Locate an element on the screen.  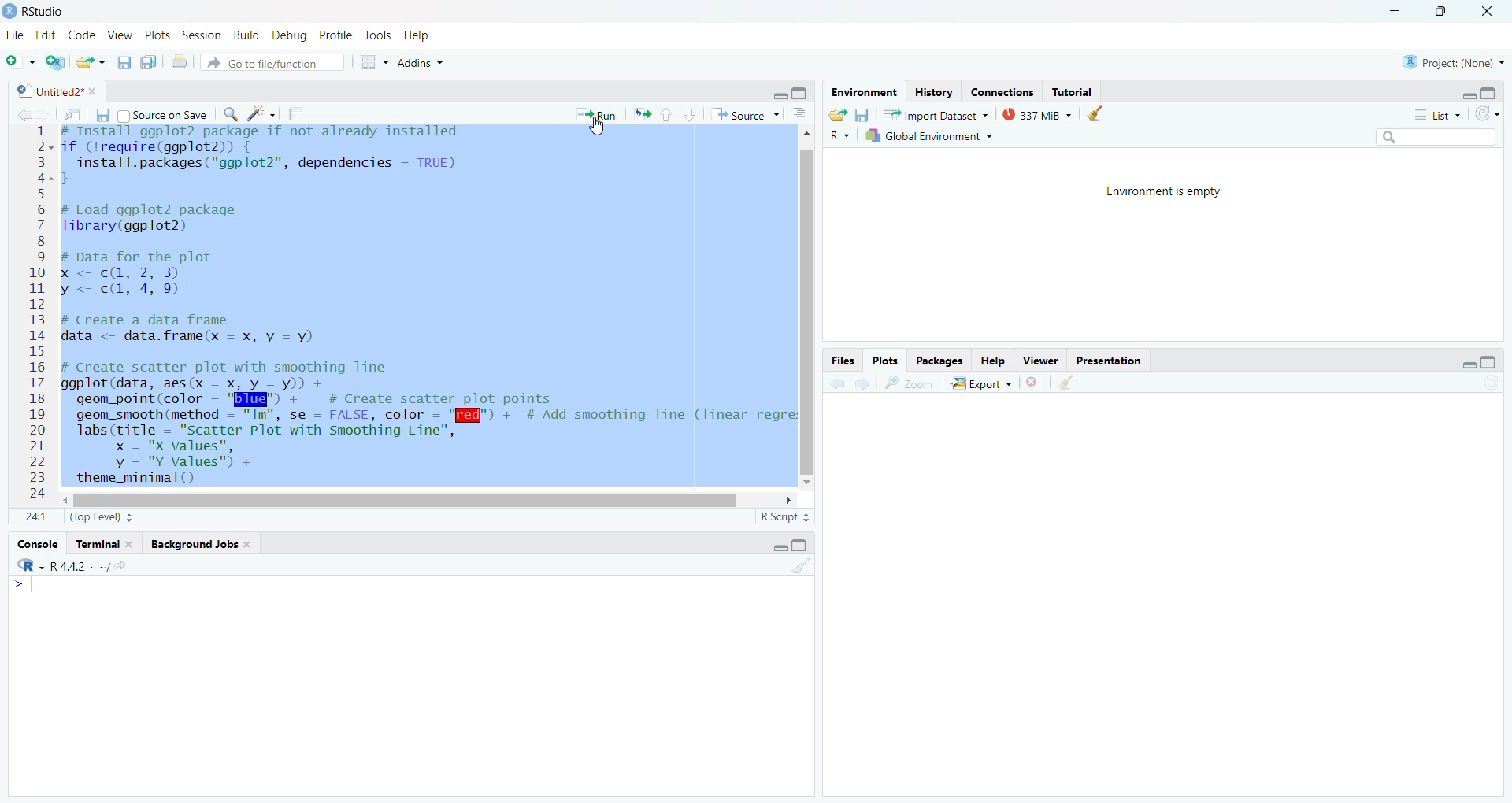
Help is located at coordinates (418, 37).